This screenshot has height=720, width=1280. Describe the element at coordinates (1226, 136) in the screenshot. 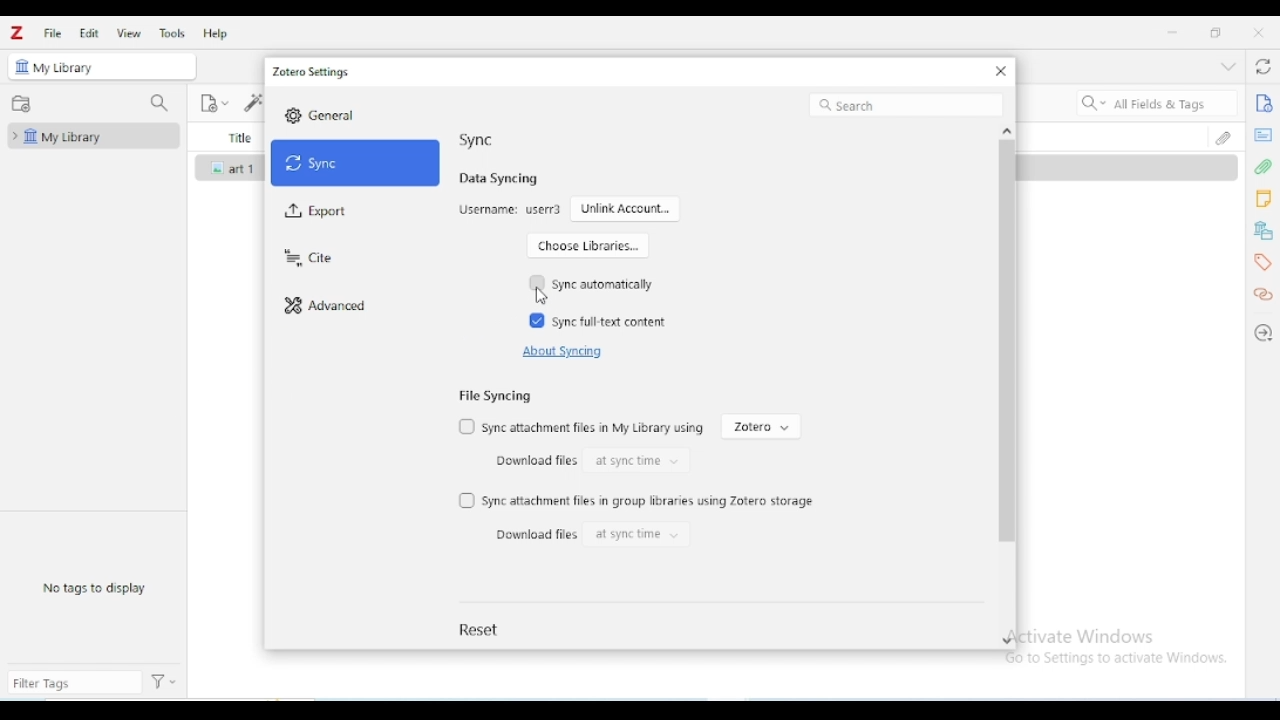

I see `attachments` at that location.